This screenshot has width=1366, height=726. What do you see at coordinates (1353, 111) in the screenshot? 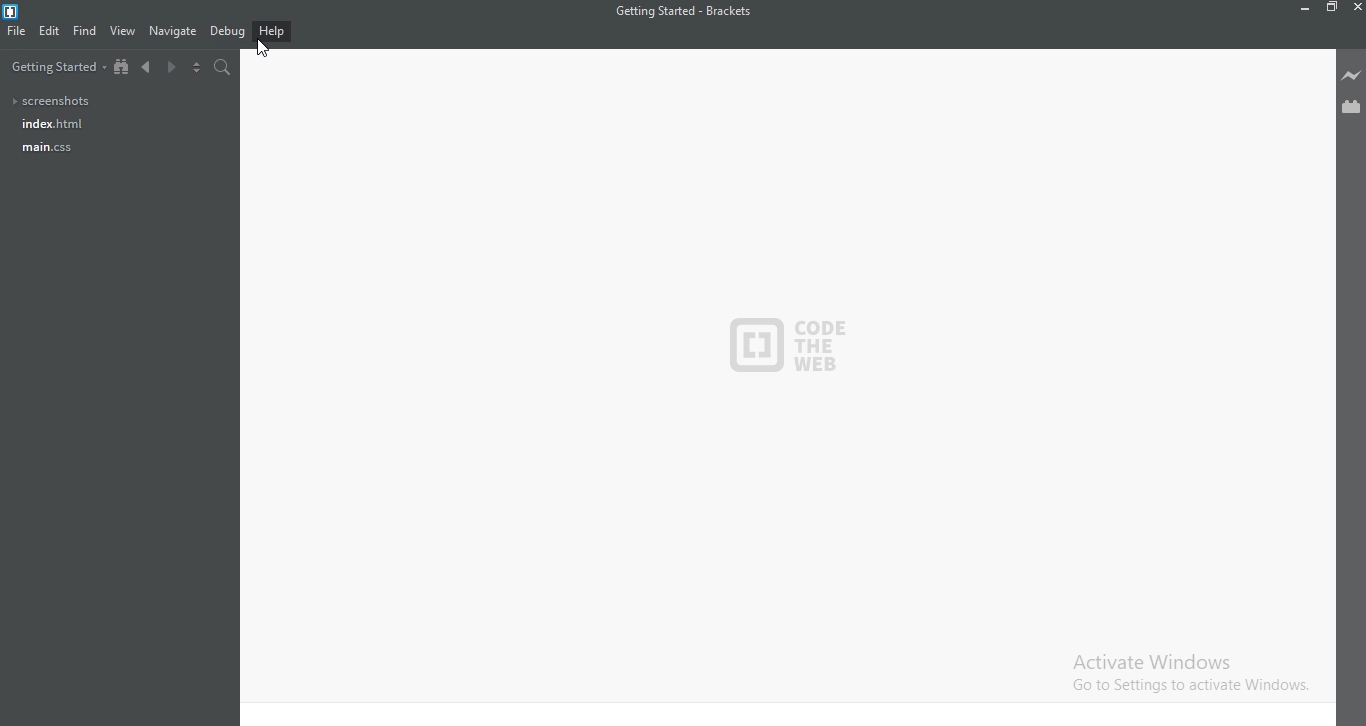
I see `Extension Manager` at bounding box center [1353, 111].